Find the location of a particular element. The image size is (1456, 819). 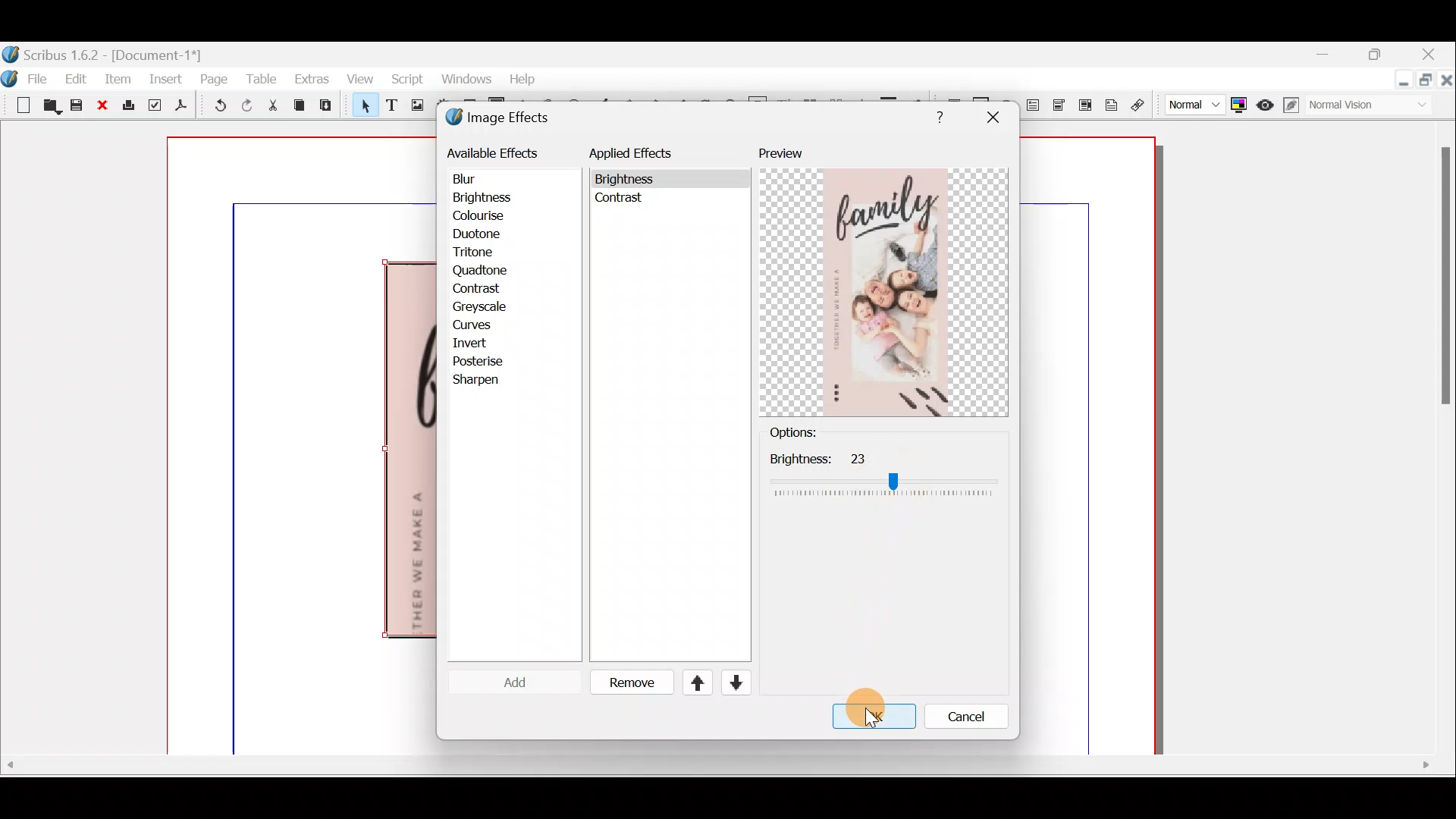

Undo is located at coordinates (214, 108).